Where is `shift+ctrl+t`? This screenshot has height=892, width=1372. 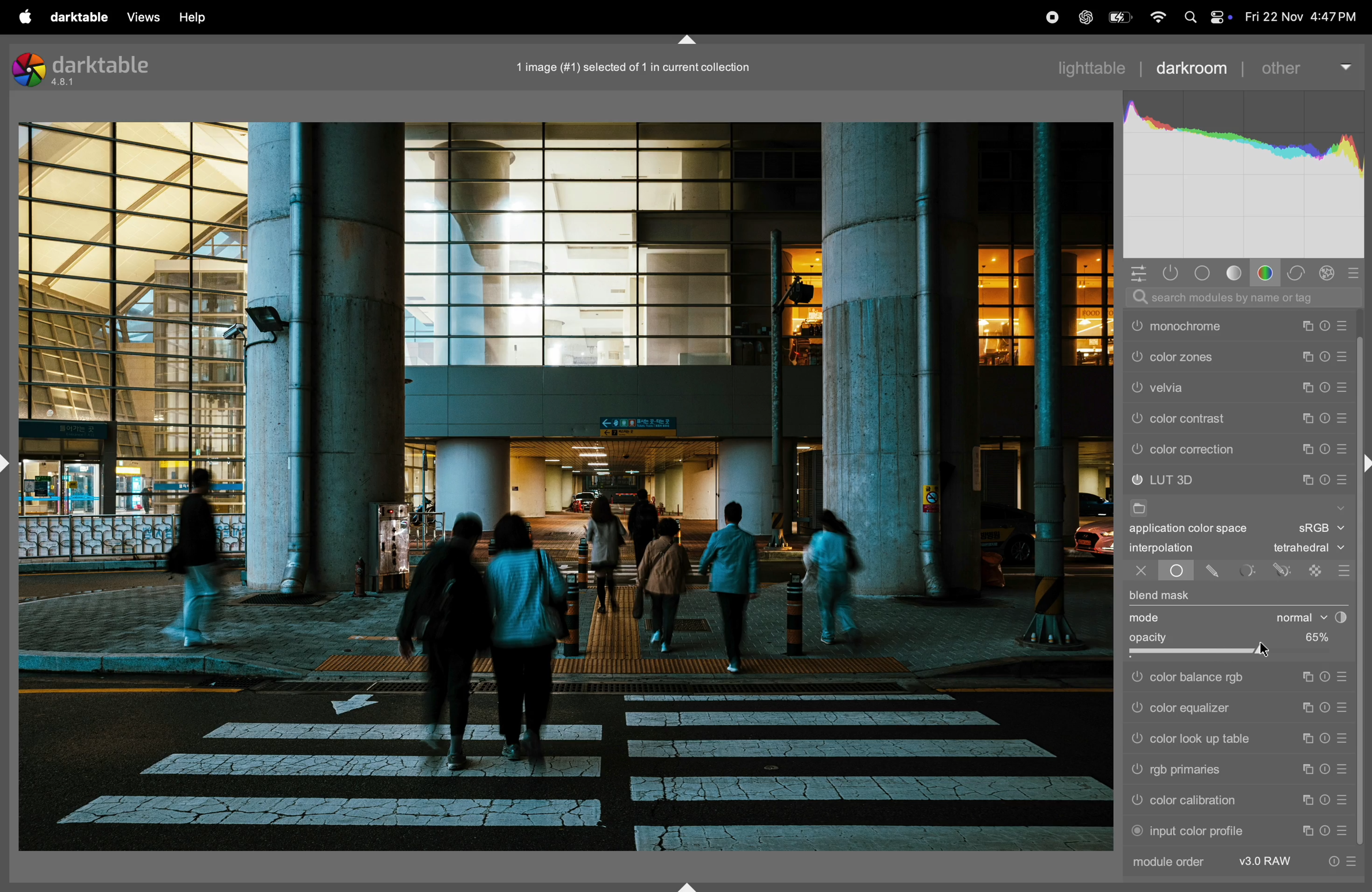 shift+ctrl+t is located at coordinates (685, 39).